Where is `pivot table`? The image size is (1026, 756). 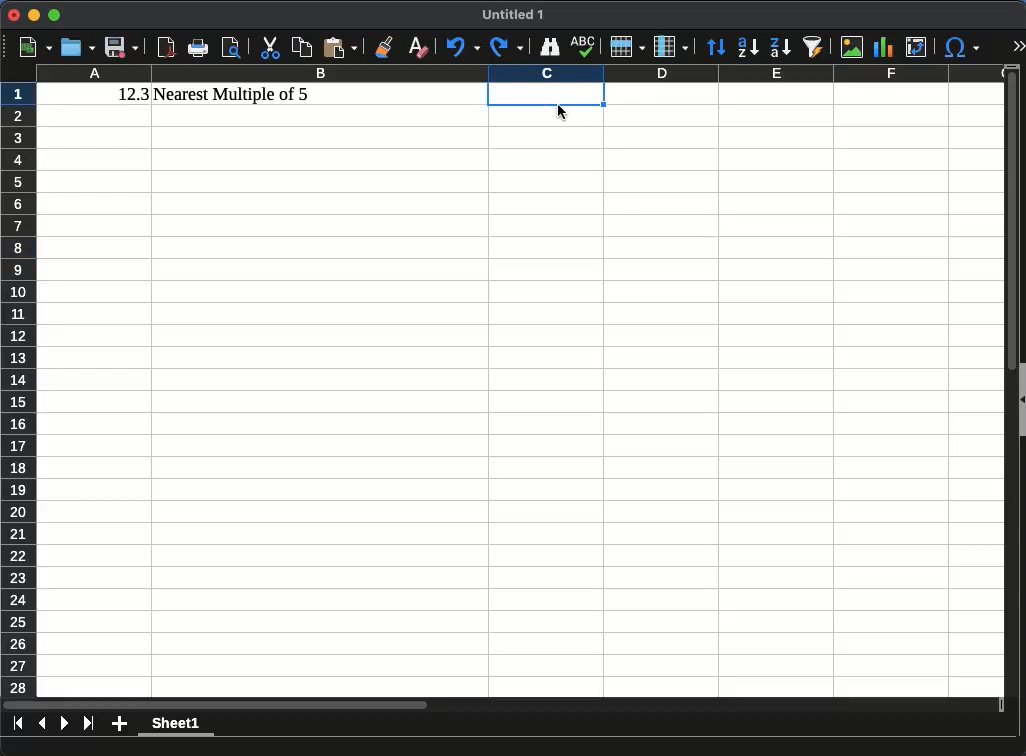 pivot table is located at coordinates (917, 48).